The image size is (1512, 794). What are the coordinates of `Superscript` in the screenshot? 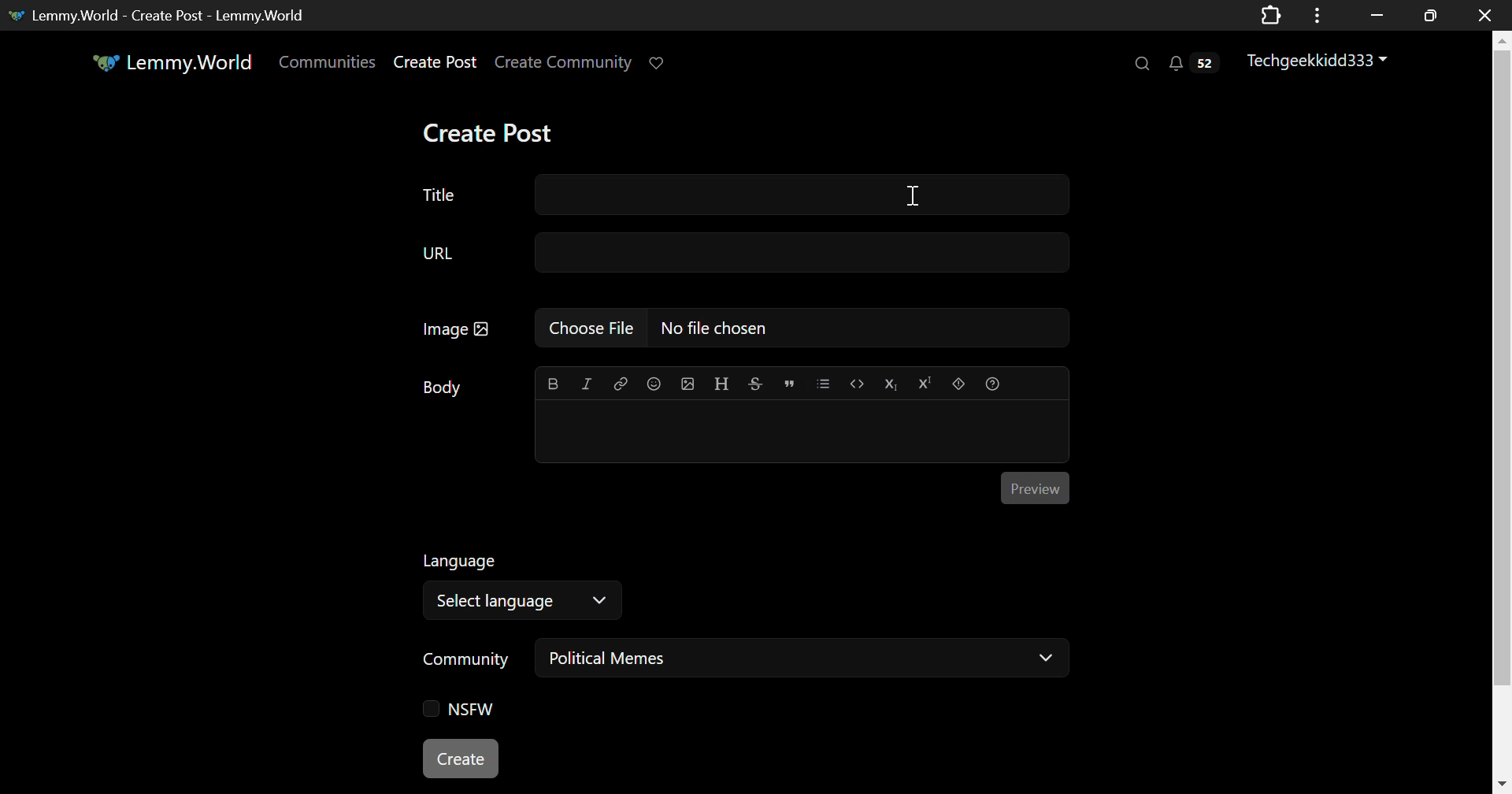 It's located at (925, 384).